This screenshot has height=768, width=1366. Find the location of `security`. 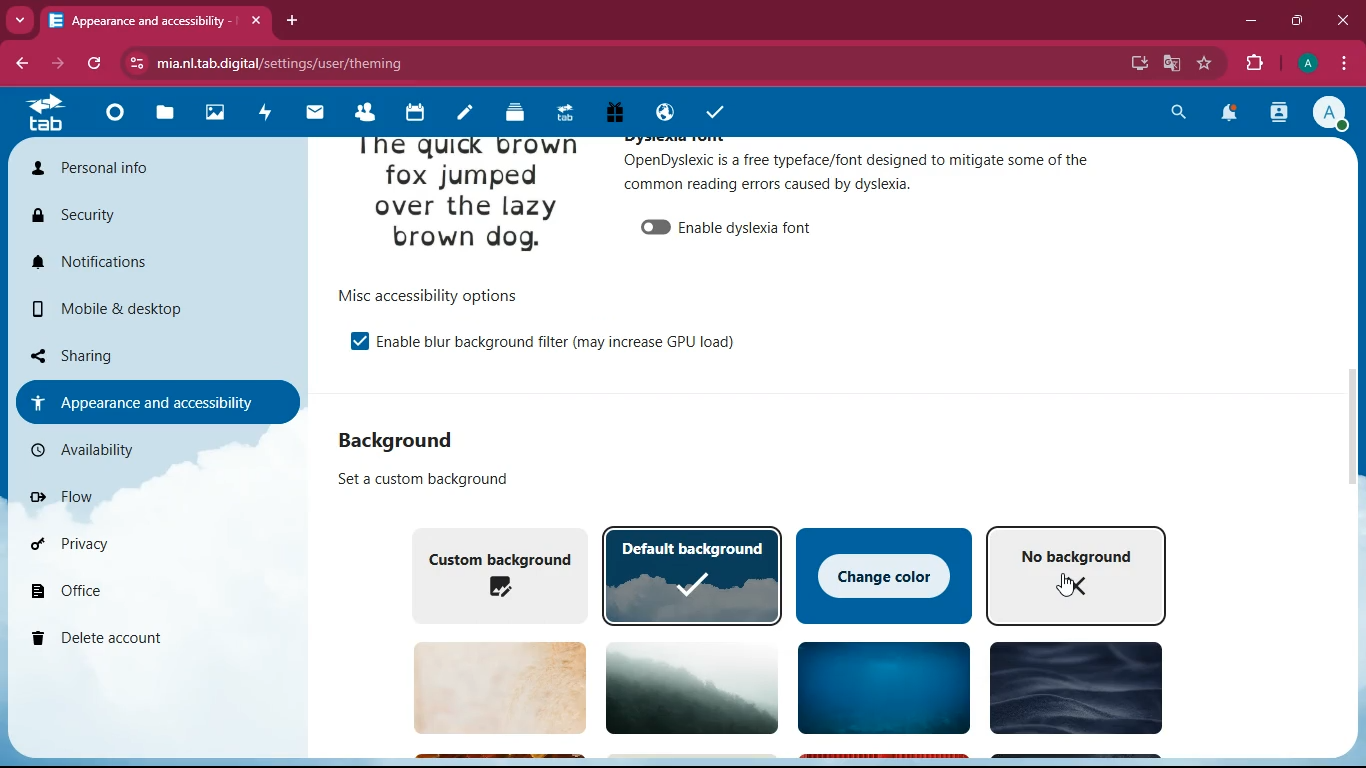

security is located at coordinates (148, 218).